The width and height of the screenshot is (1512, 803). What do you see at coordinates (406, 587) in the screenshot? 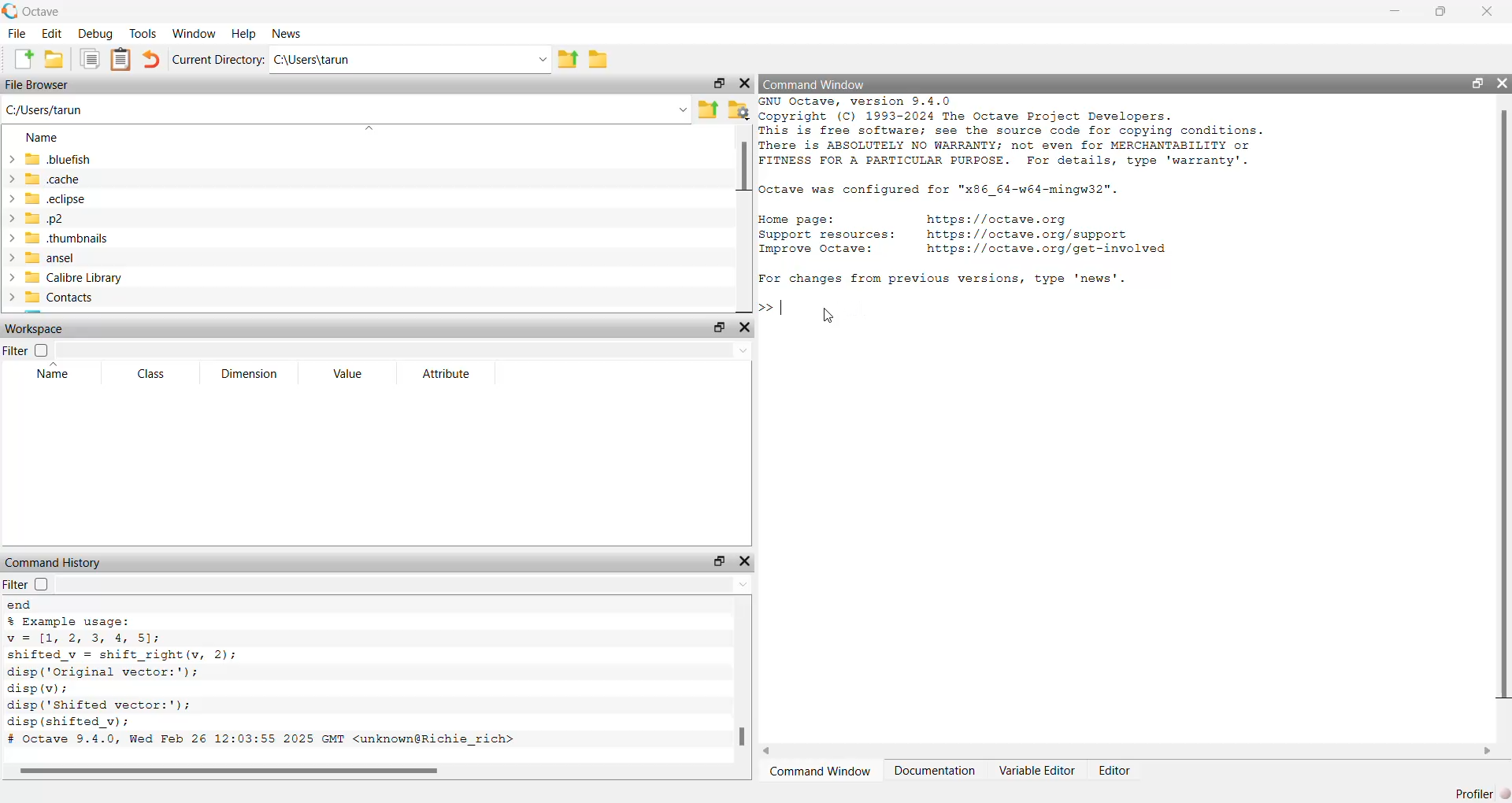
I see `filter input field` at bounding box center [406, 587].